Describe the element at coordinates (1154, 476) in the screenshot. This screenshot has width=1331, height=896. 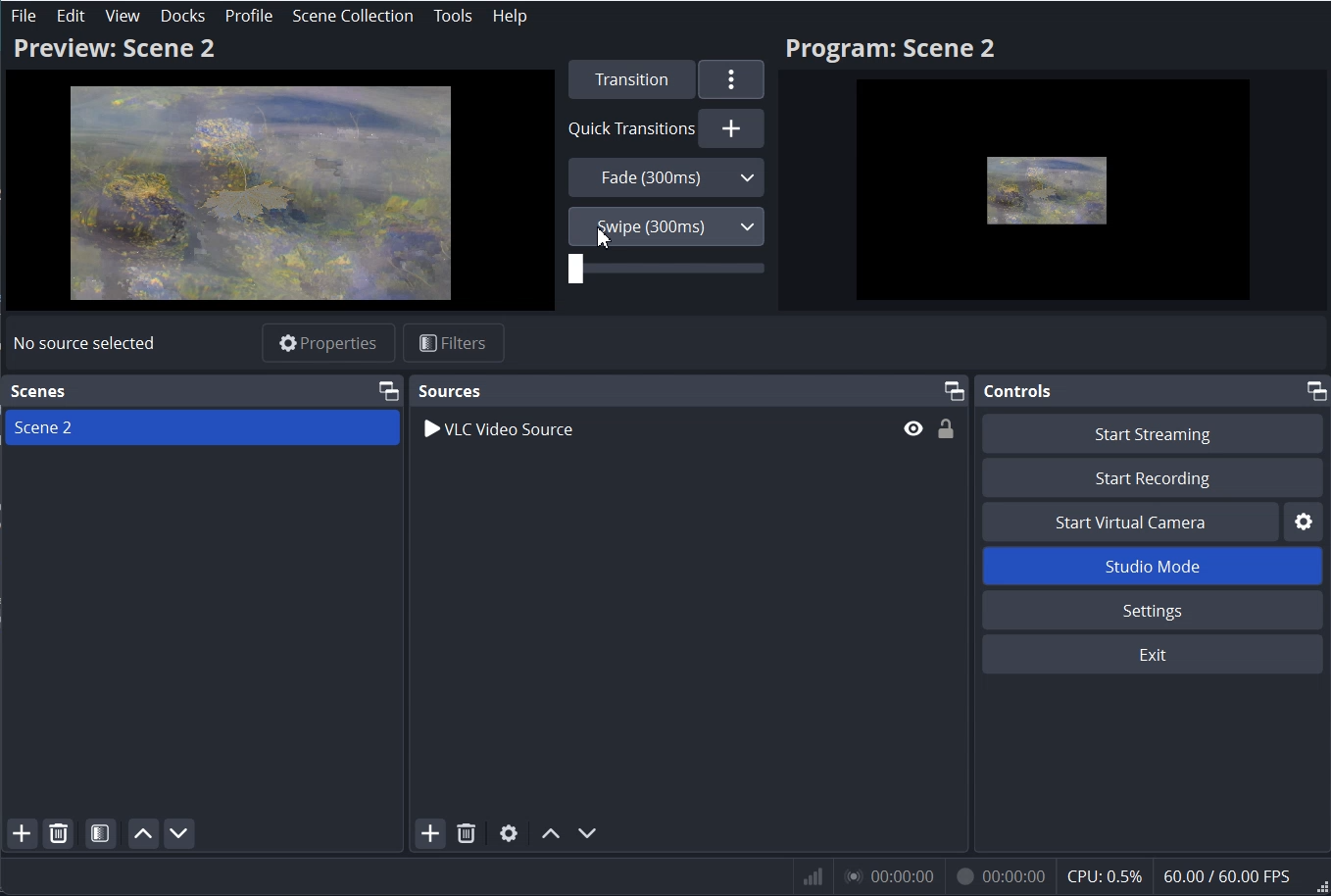
I see `Start Recording` at that location.